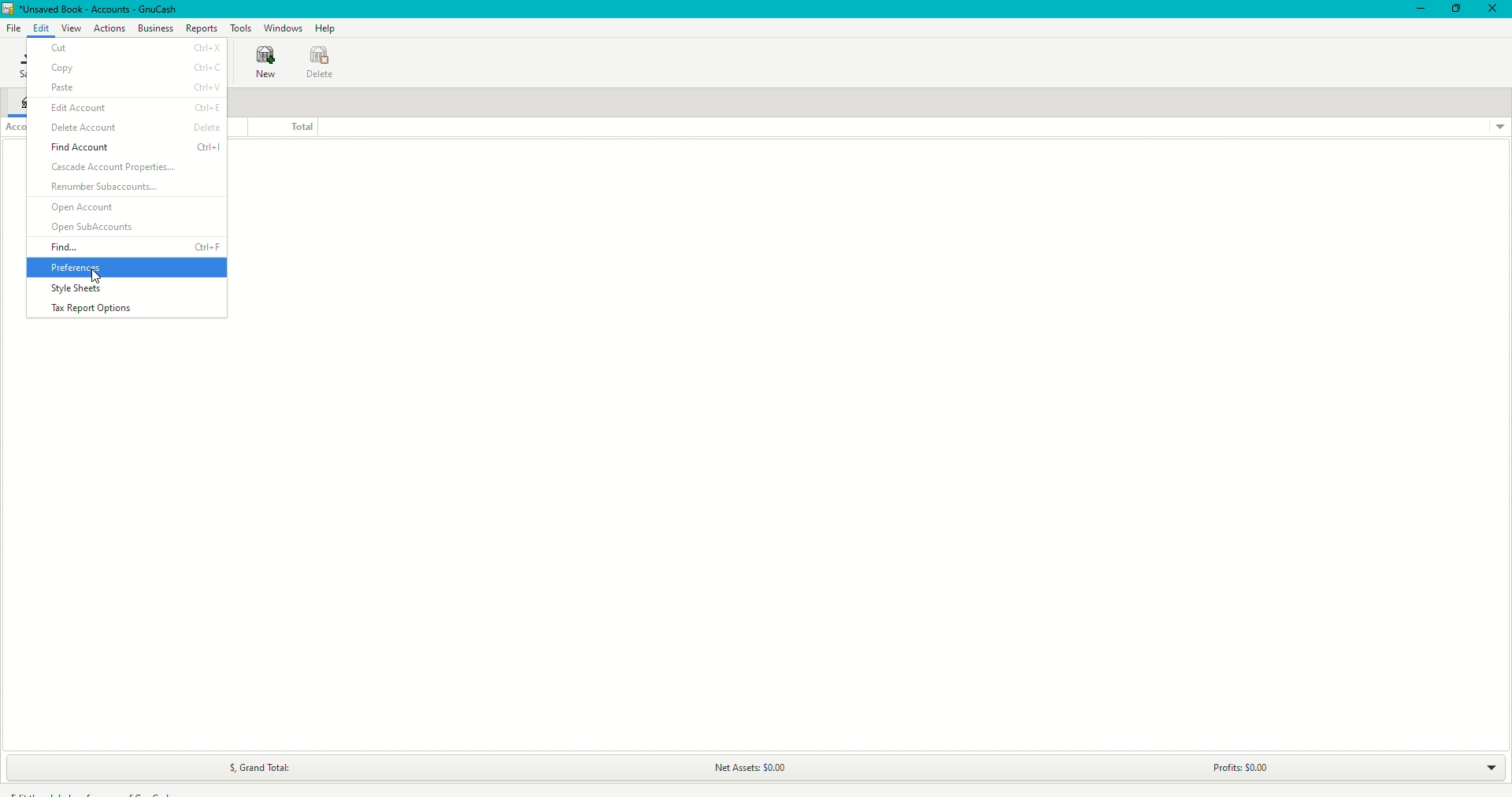 This screenshot has width=1512, height=797. Describe the element at coordinates (106, 188) in the screenshot. I see `Renumber Subaccounts` at that location.